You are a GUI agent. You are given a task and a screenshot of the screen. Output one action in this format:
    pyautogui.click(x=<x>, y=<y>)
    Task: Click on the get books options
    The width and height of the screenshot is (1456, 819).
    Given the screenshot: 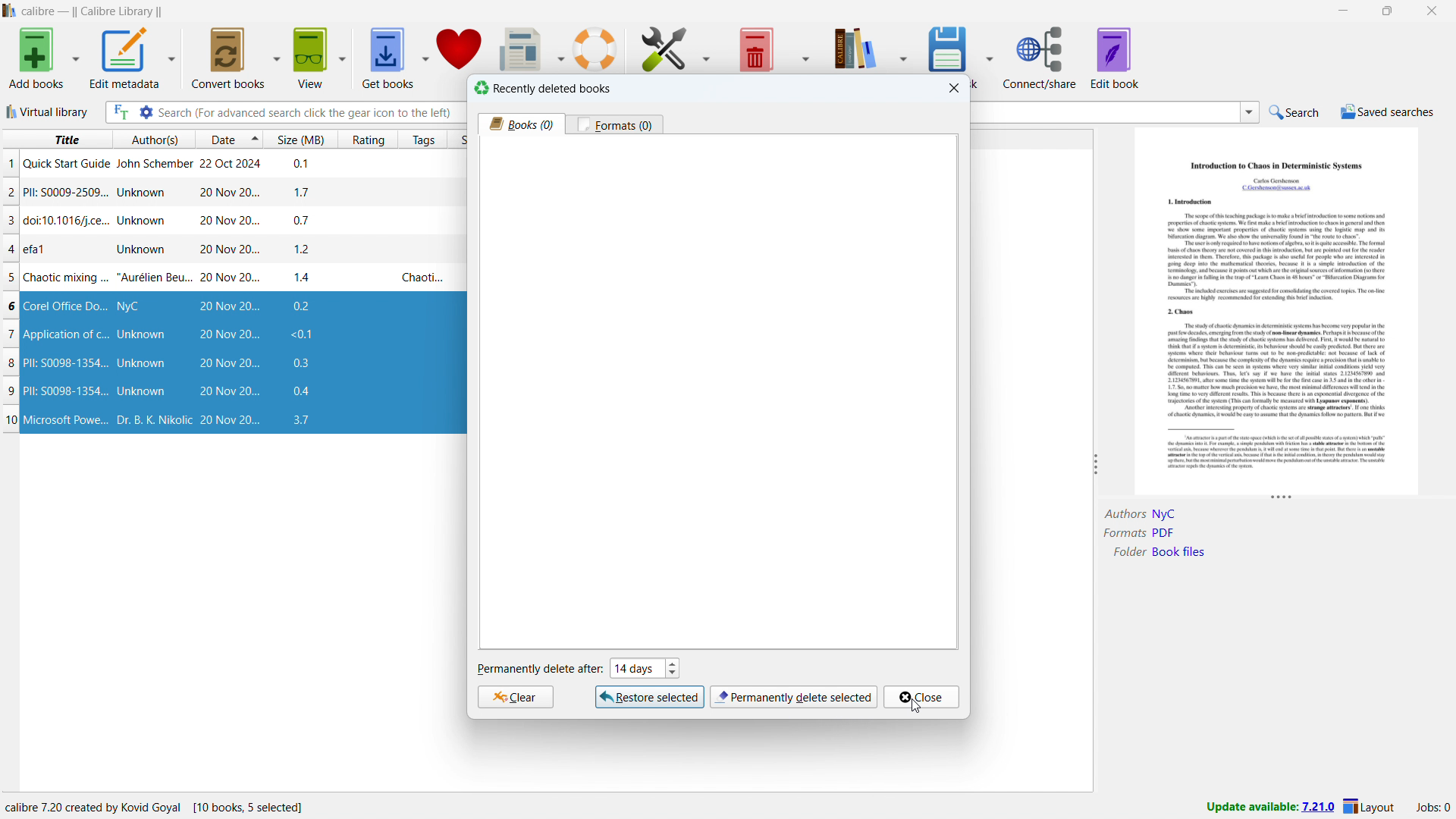 What is the action you would take?
    pyautogui.click(x=424, y=57)
    